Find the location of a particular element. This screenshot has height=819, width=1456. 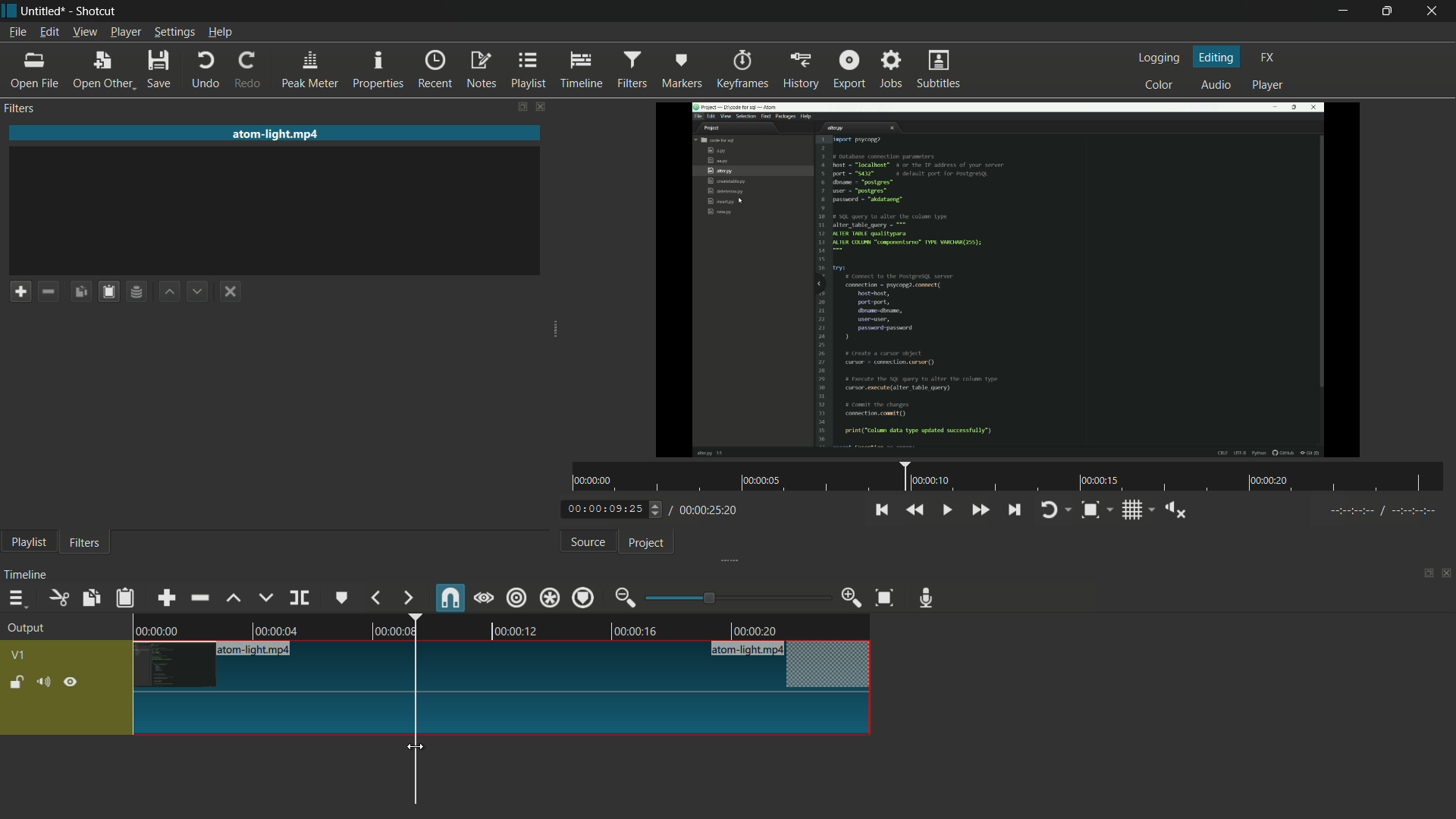

jobs is located at coordinates (893, 67).